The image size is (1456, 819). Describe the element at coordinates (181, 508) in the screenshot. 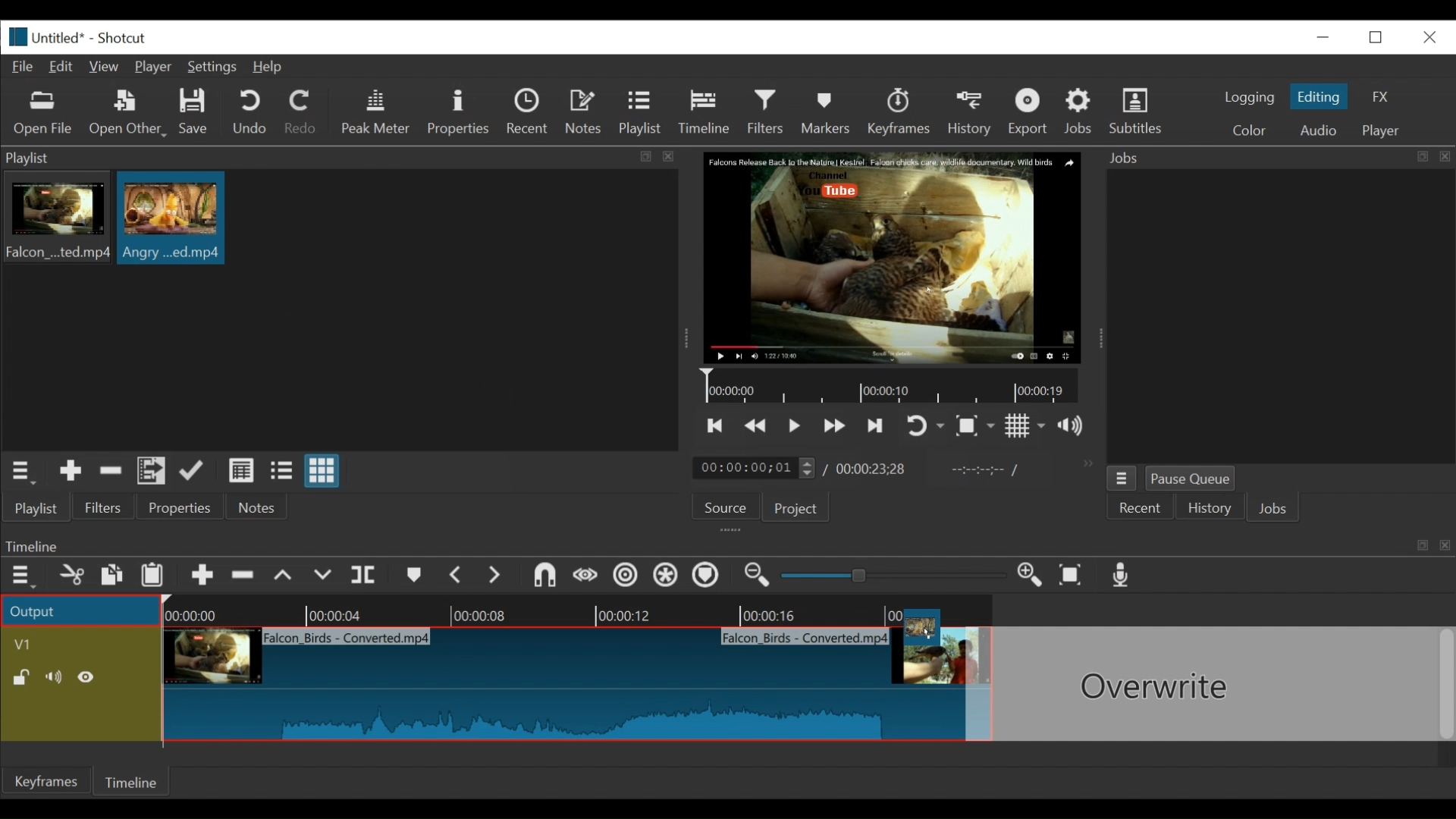

I see `properties` at that location.